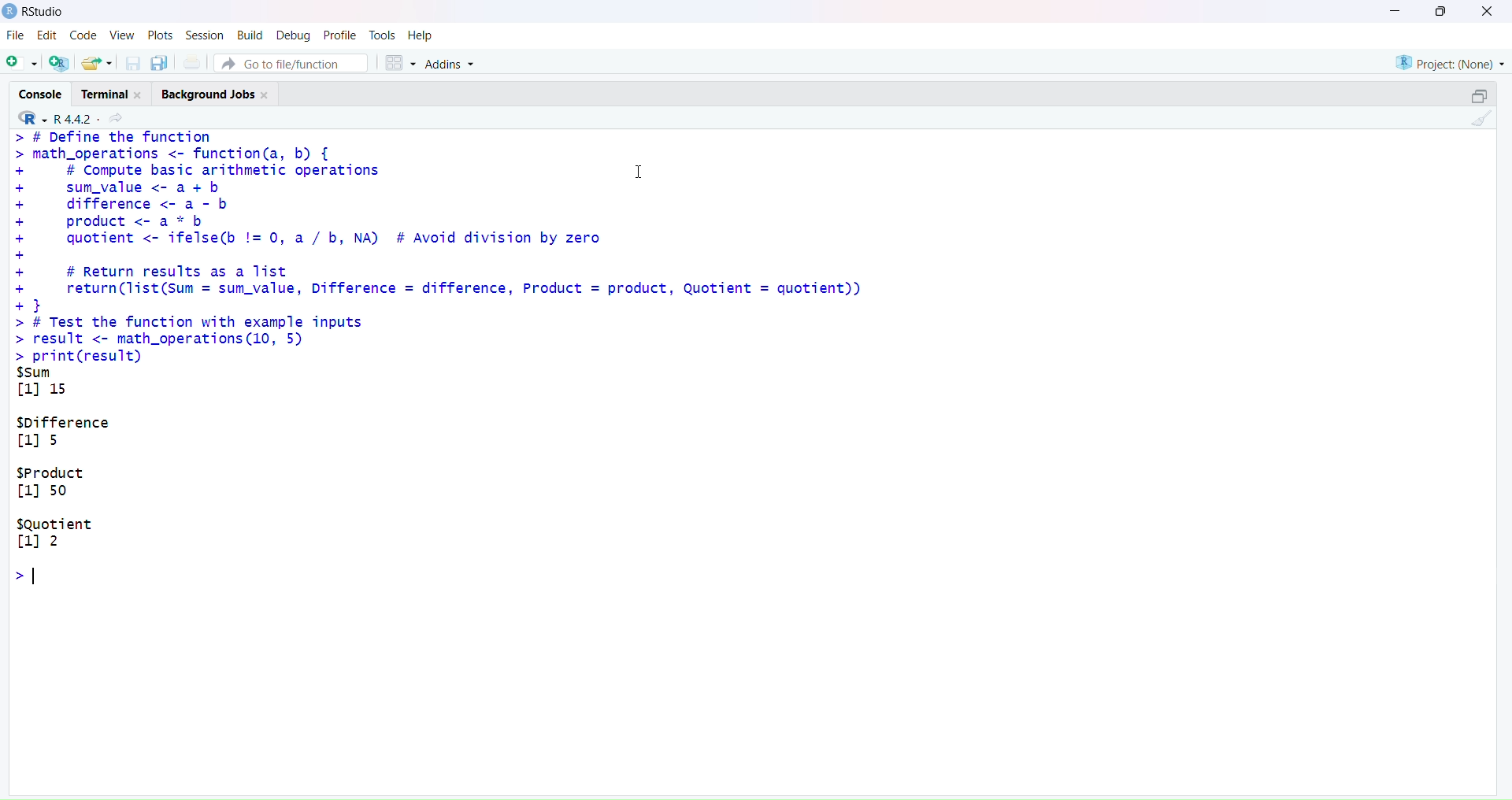 The image size is (1512, 800). Describe the element at coordinates (35, 12) in the screenshot. I see `RStudio` at that location.